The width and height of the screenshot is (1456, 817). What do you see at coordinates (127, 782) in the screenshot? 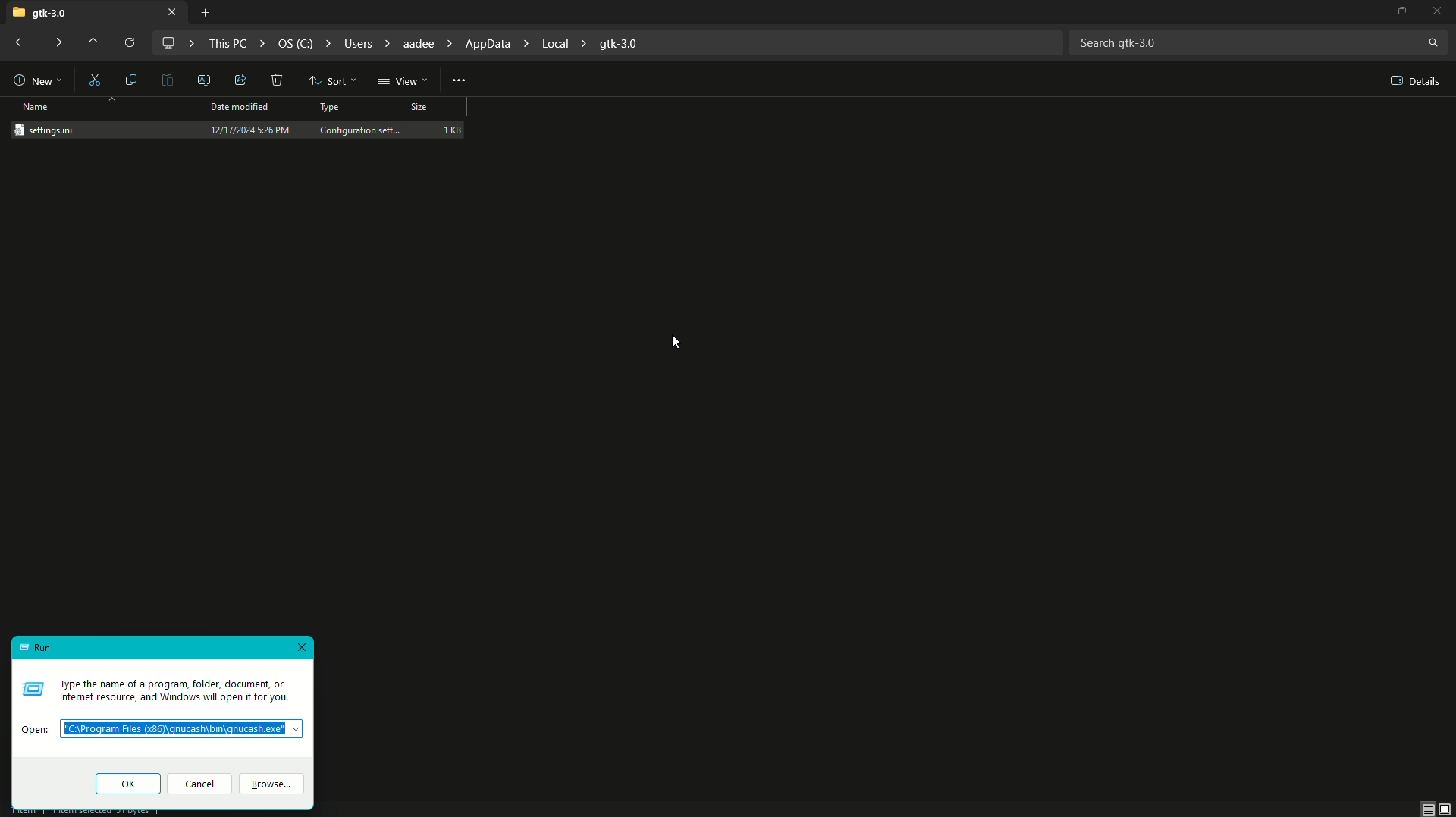
I see `OK` at bounding box center [127, 782].